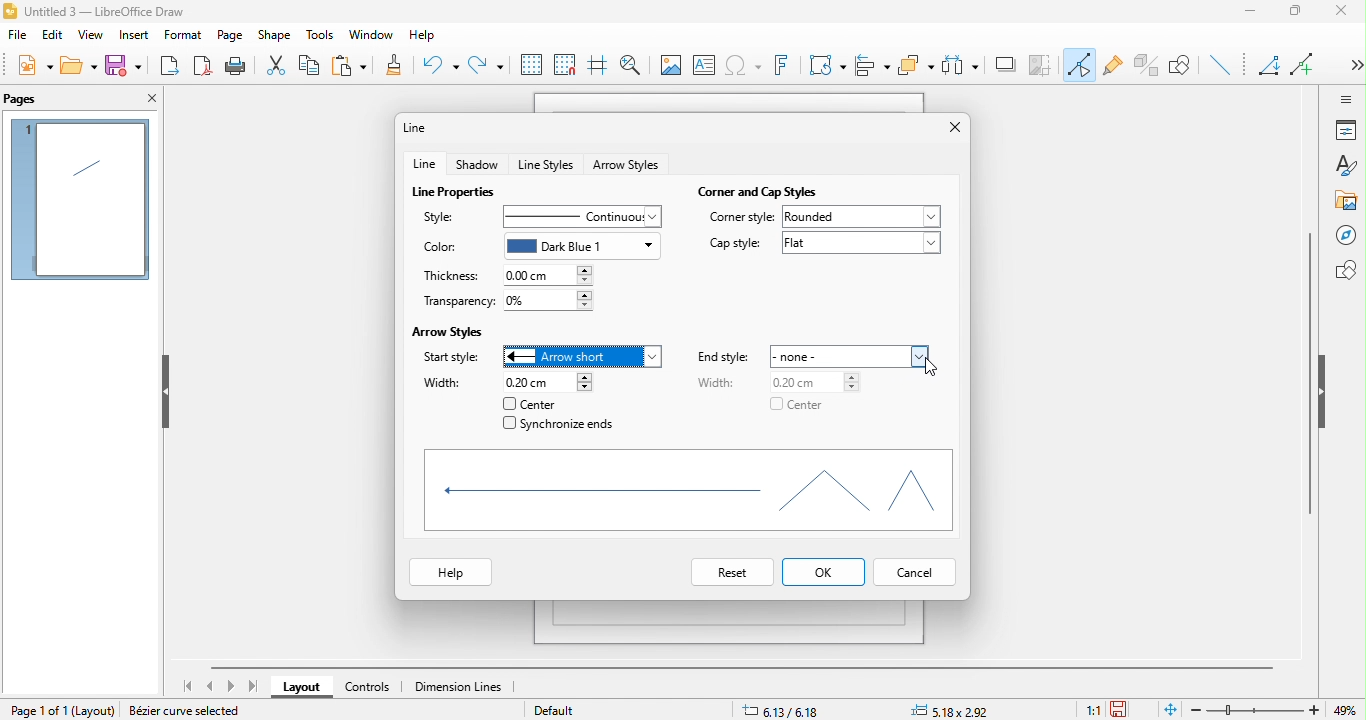 The image size is (1366, 720). Describe the element at coordinates (1302, 14) in the screenshot. I see `maximize` at that location.